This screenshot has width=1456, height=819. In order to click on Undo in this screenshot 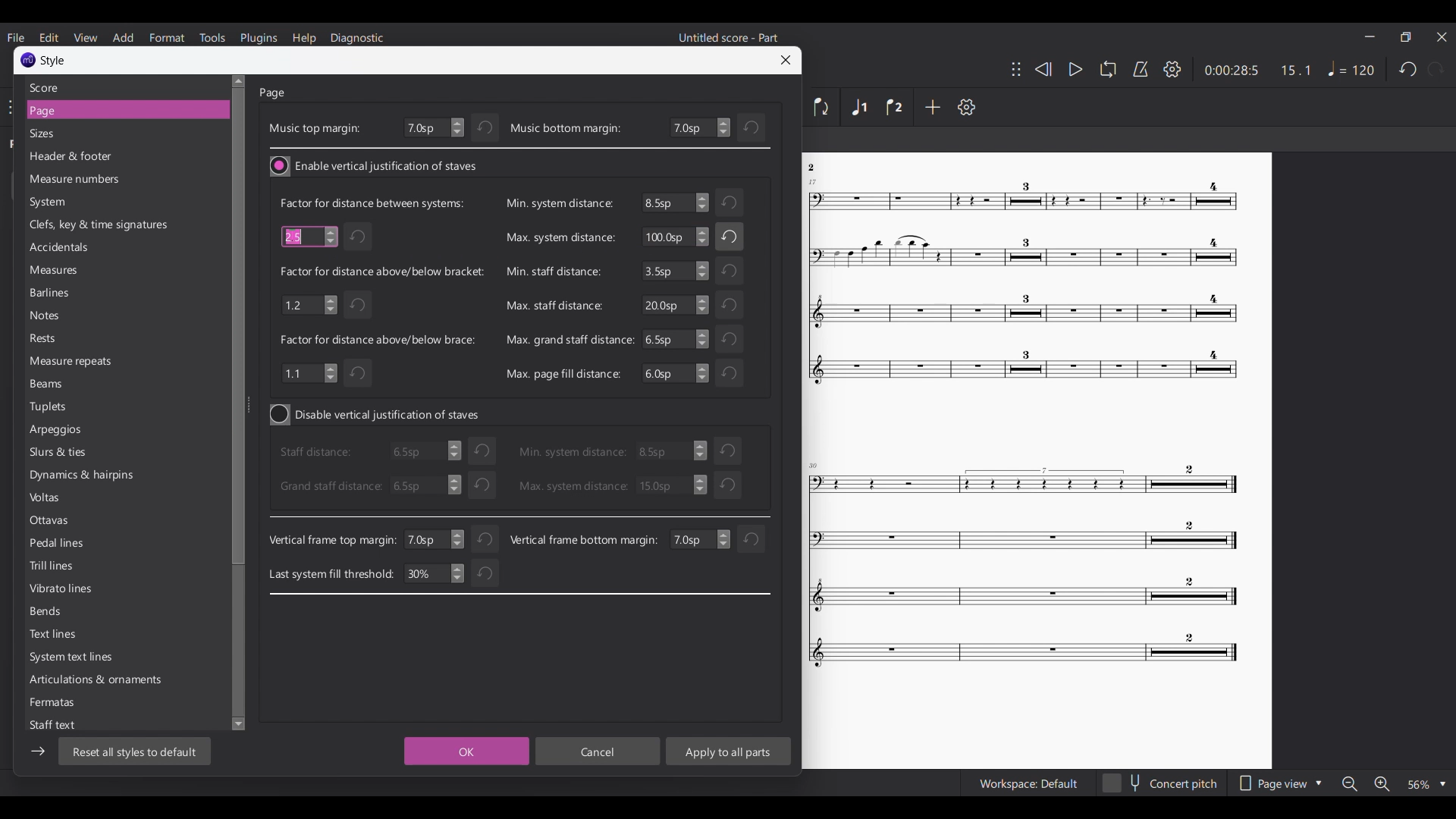, I will do `click(730, 271)`.